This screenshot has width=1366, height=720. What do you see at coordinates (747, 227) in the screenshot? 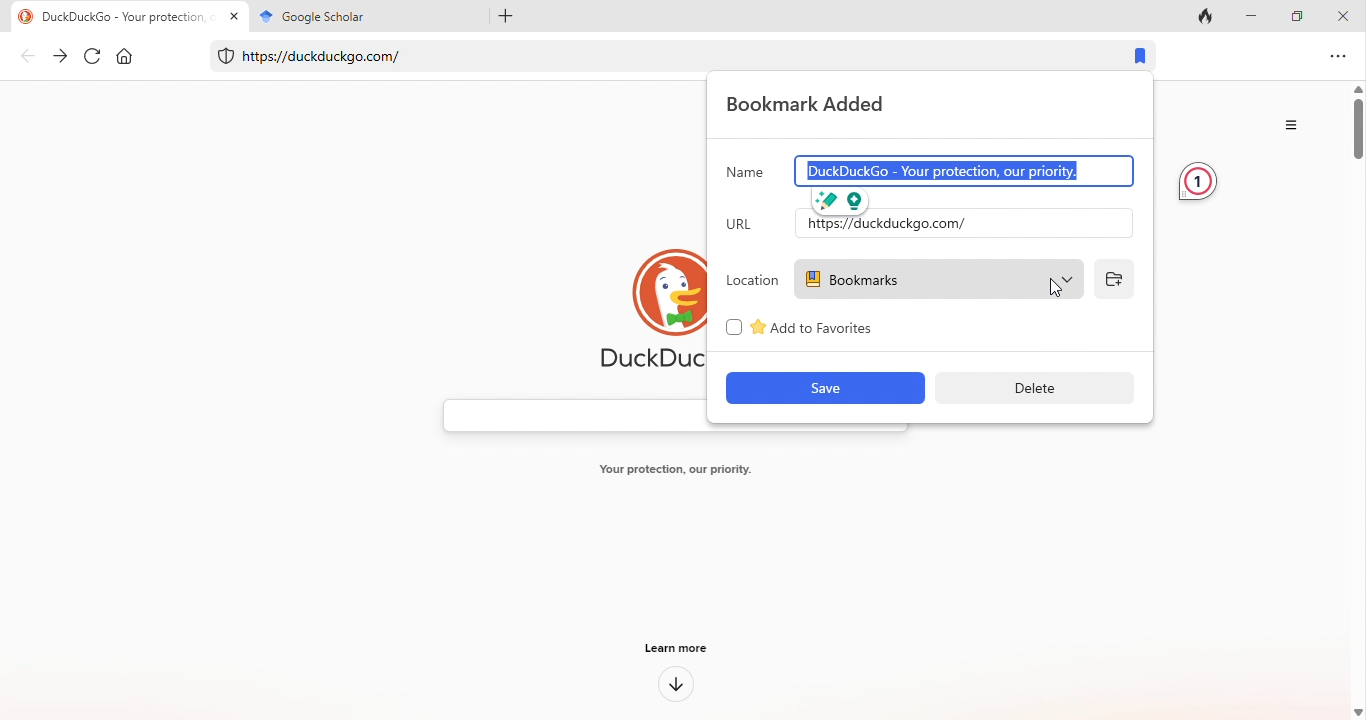
I see `url` at bounding box center [747, 227].